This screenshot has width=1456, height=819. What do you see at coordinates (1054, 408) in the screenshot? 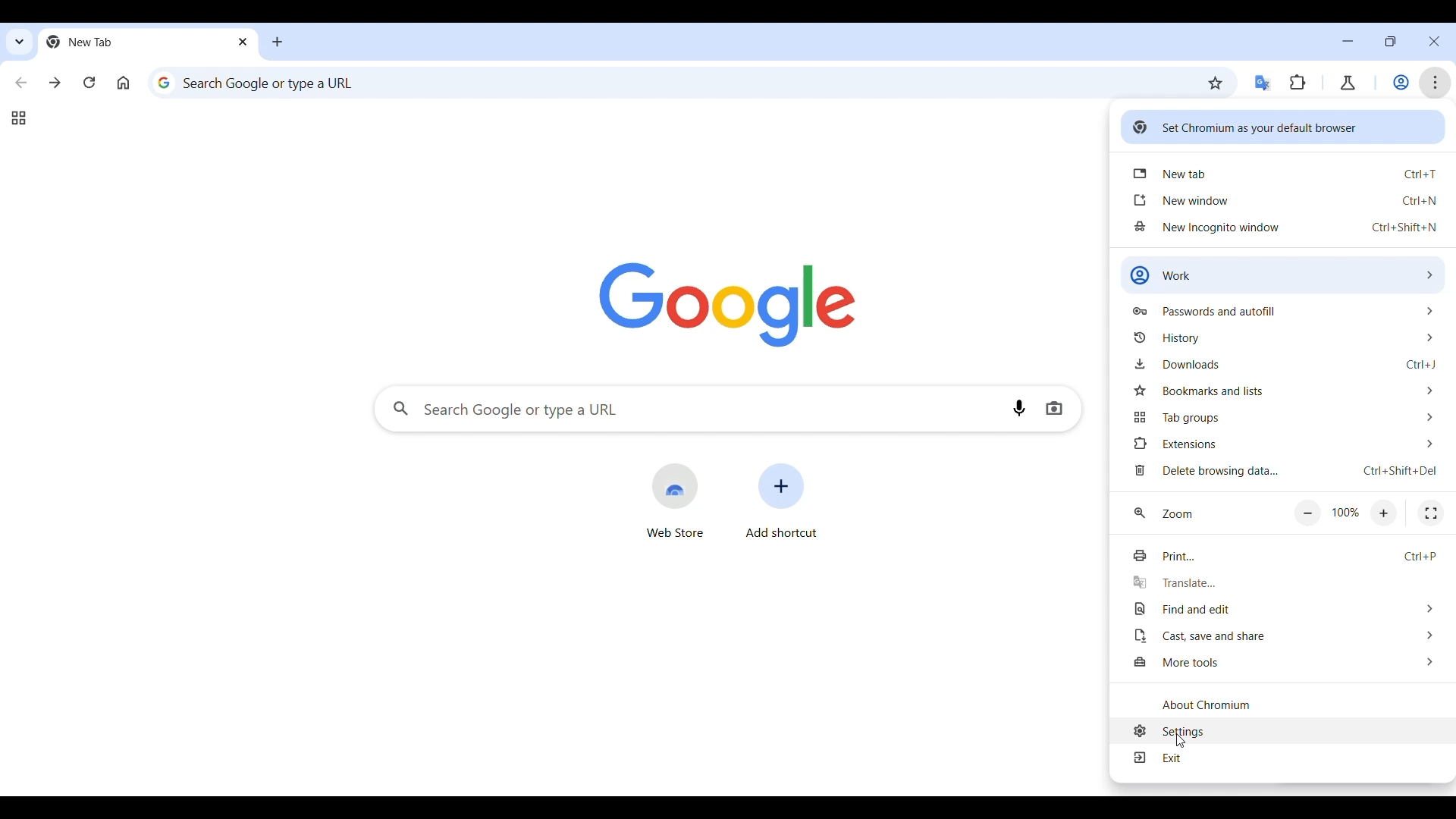
I see `Search by image` at bounding box center [1054, 408].